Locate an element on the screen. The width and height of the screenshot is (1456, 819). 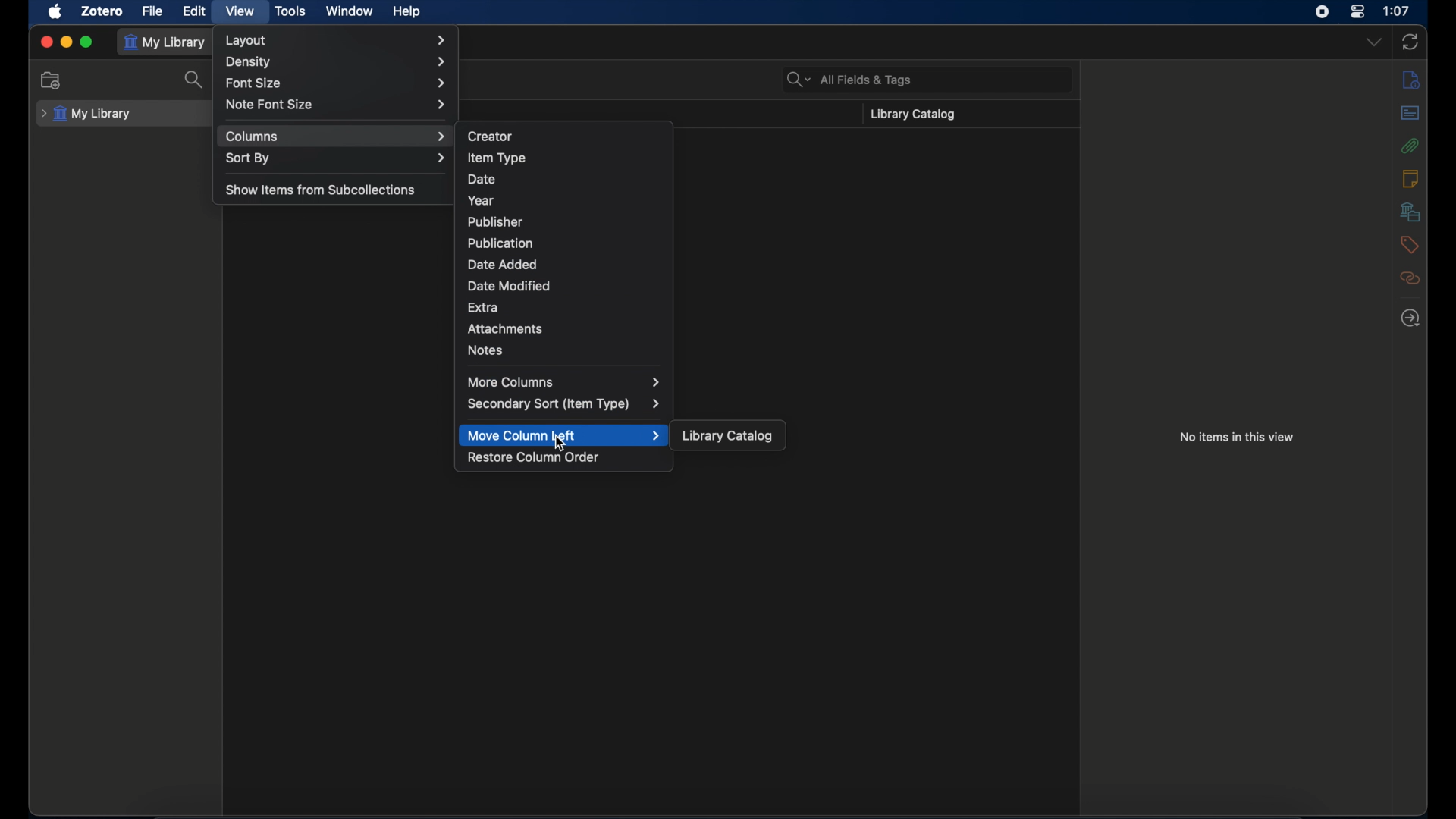
zotero is located at coordinates (102, 11).